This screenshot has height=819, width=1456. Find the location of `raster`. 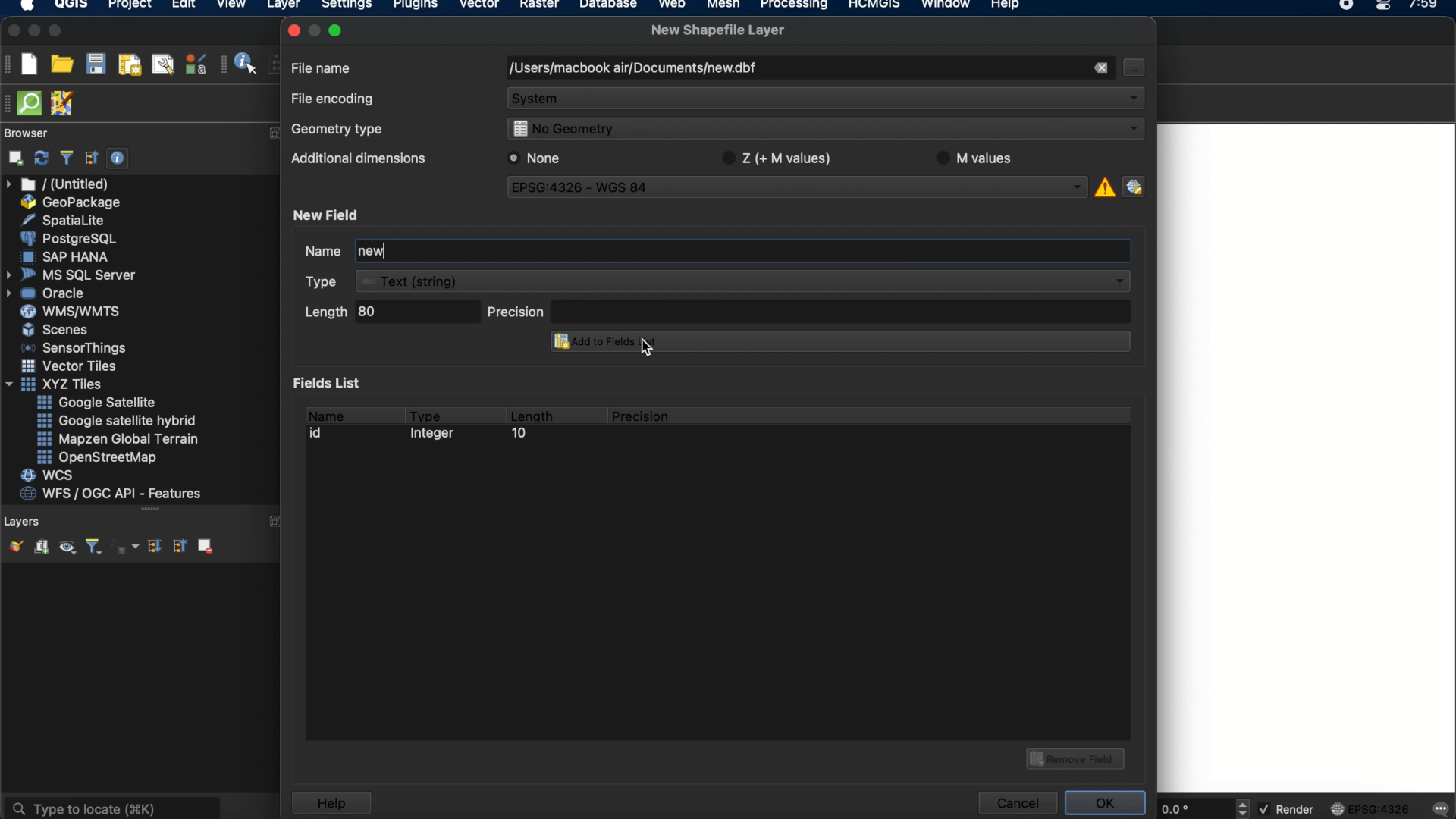

raster is located at coordinates (538, 6).